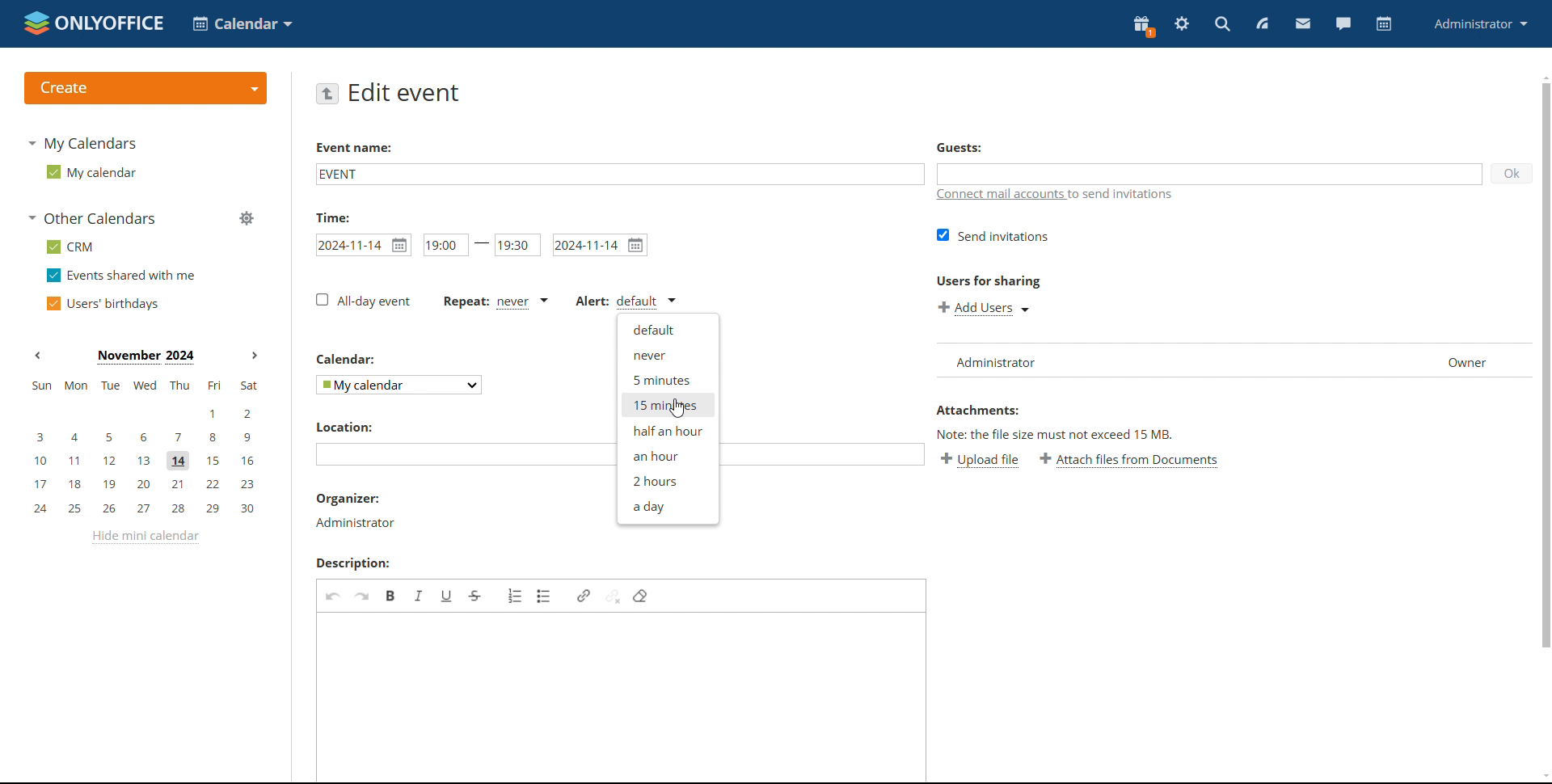 This screenshot has height=784, width=1552. What do you see at coordinates (1341, 23) in the screenshot?
I see `chat` at bounding box center [1341, 23].